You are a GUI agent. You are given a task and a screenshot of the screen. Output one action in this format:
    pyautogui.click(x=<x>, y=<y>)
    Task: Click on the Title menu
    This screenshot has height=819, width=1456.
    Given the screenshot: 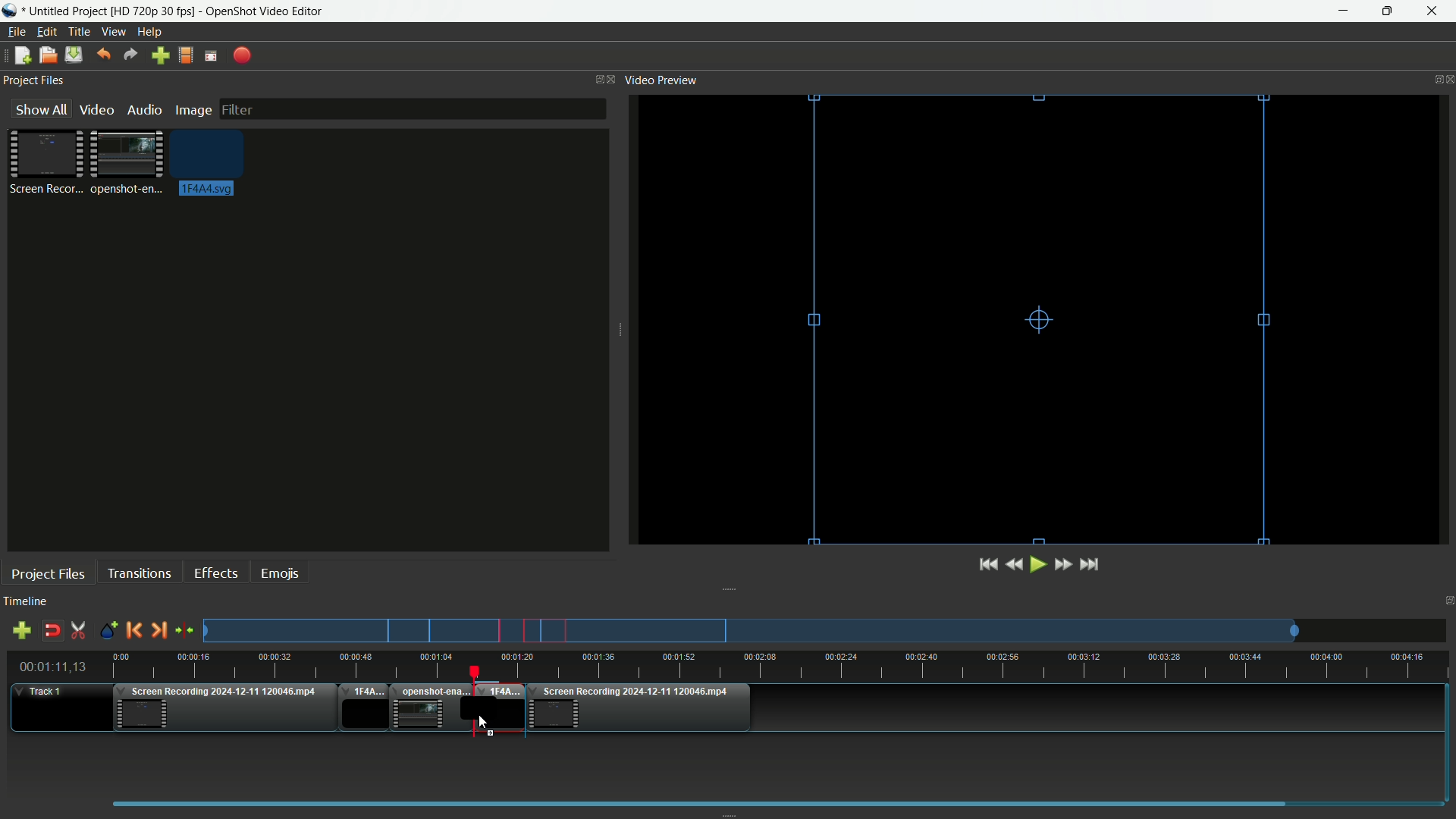 What is the action you would take?
    pyautogui.click(x=76, y=33)
    